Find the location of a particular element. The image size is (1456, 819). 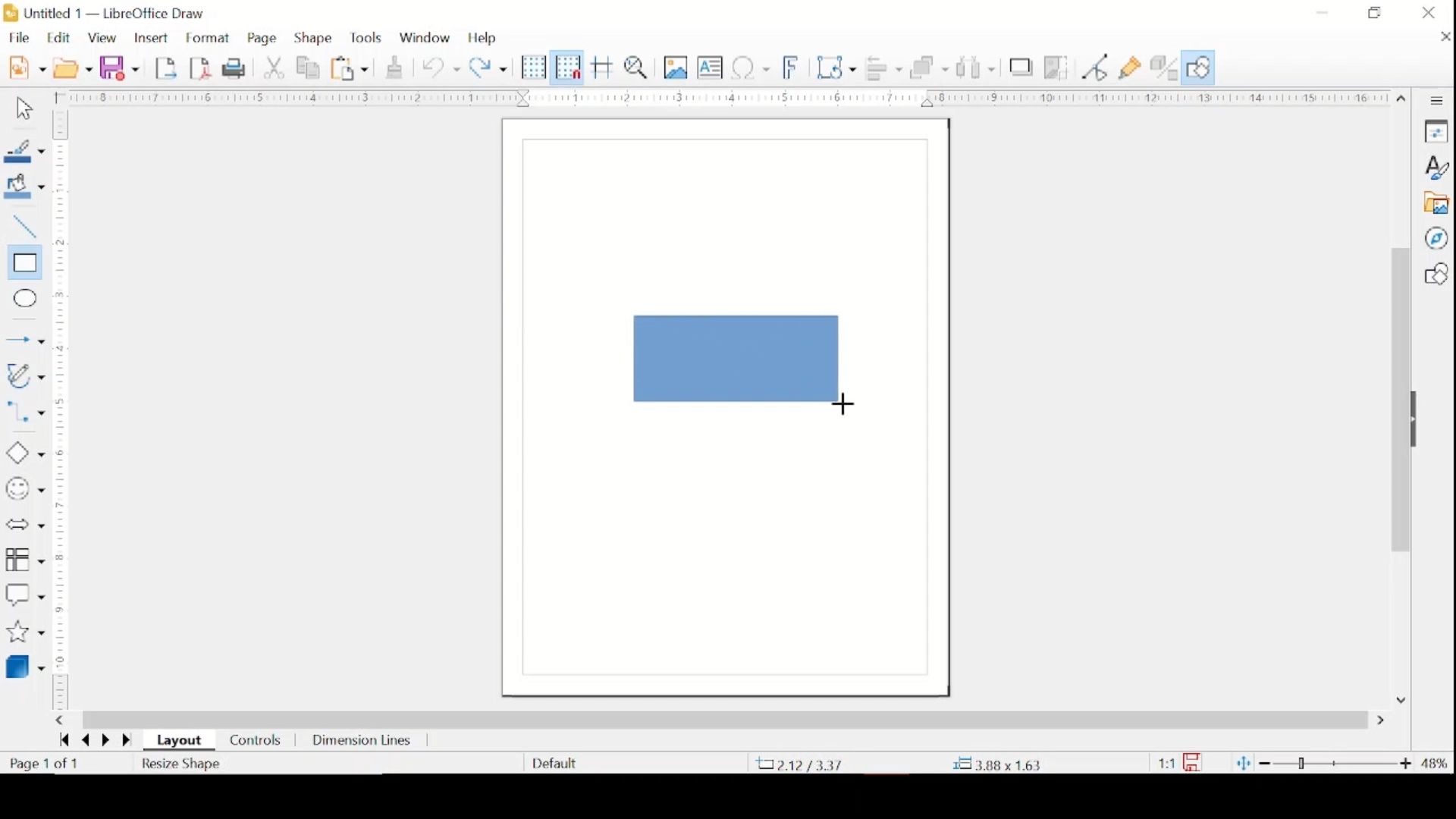

export is located at coordinates (168, 67).